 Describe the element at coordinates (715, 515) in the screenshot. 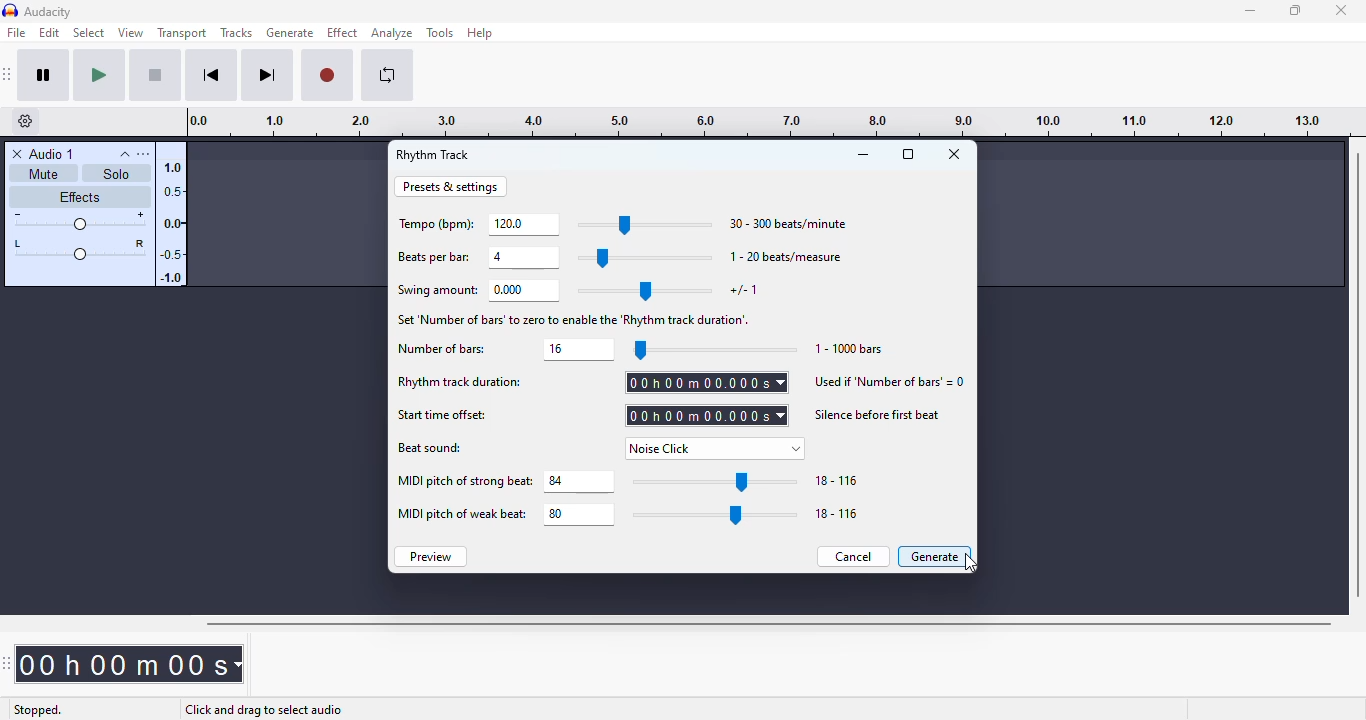

I see `slider` at that location.